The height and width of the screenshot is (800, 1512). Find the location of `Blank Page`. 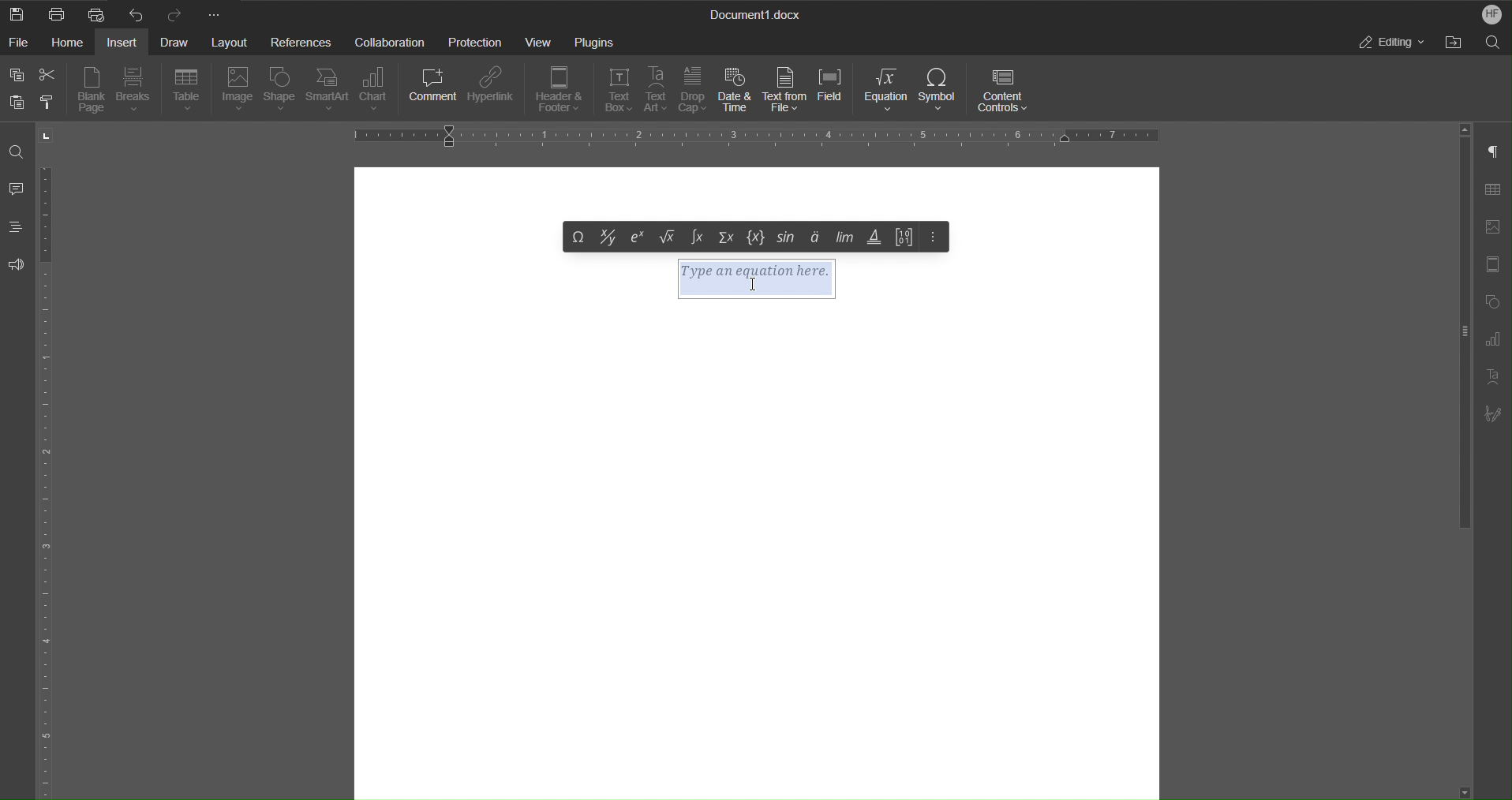

Blank Page is located at coordinates (92, 90).